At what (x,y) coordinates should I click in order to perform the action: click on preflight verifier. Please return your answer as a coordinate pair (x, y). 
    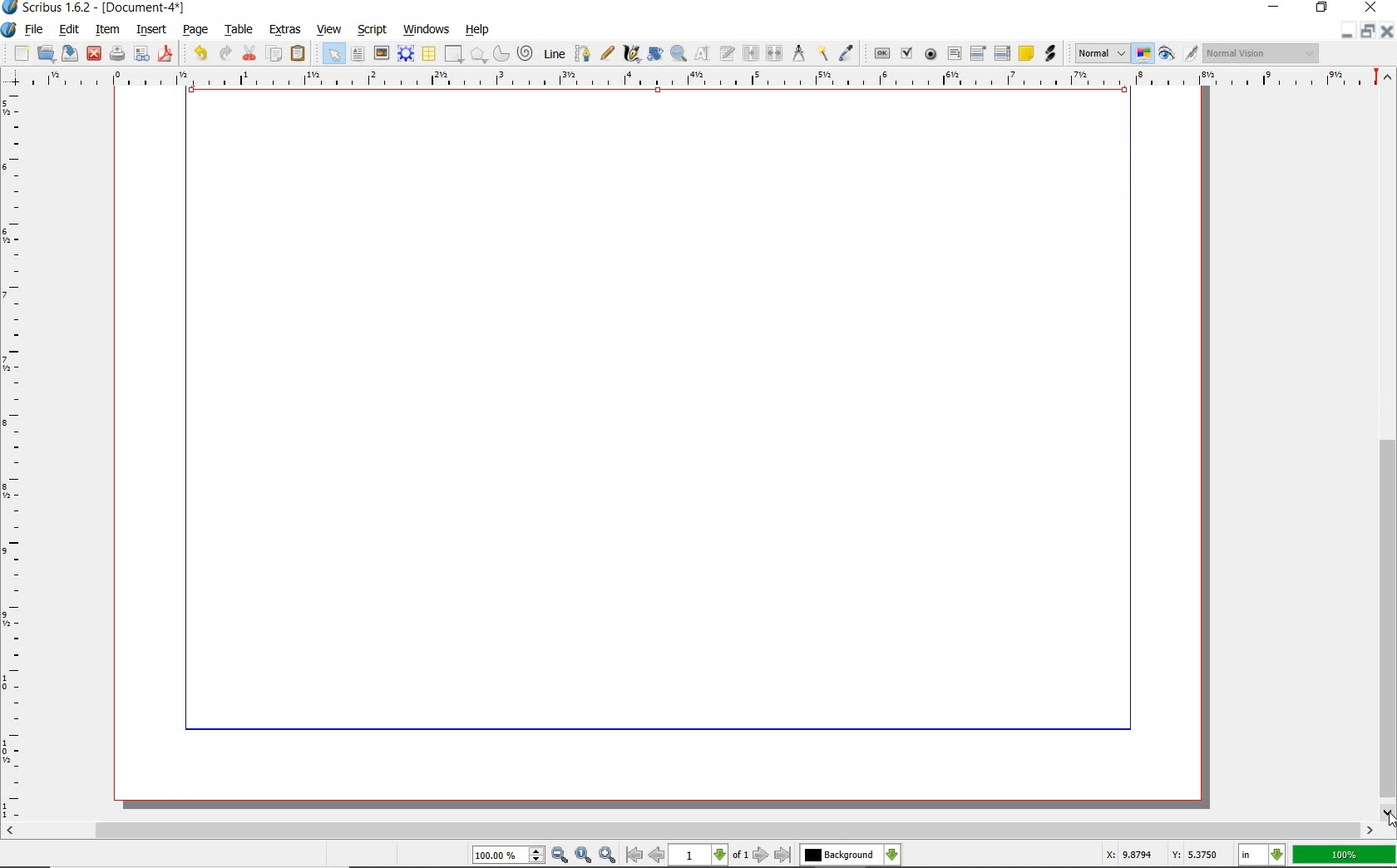
    Looking at the image, I should click on (142, 54).